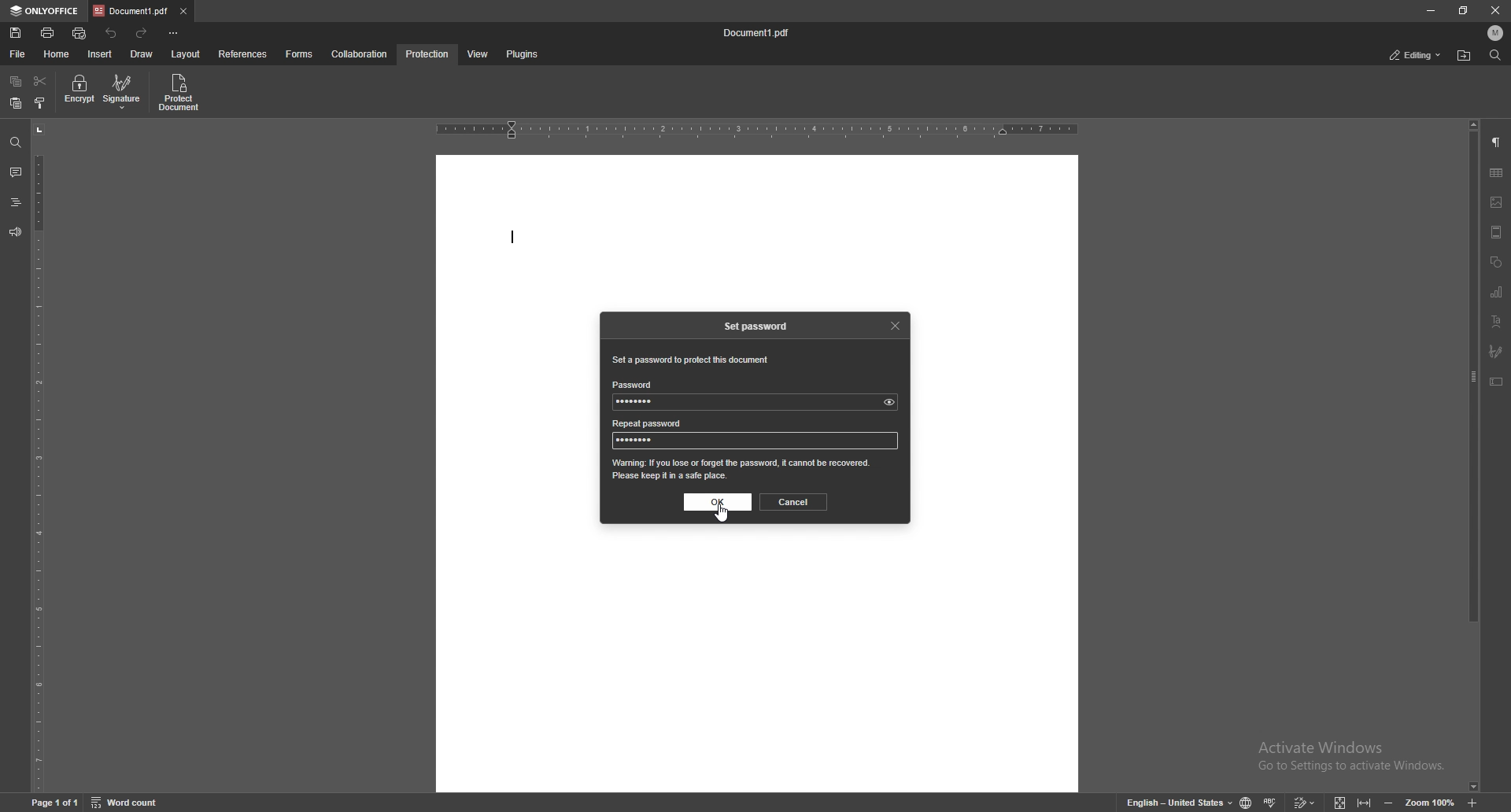 Image resolution: width=1511 pixels, height=812 pixels. I want to click on customize toolbar, so click(172, 34).